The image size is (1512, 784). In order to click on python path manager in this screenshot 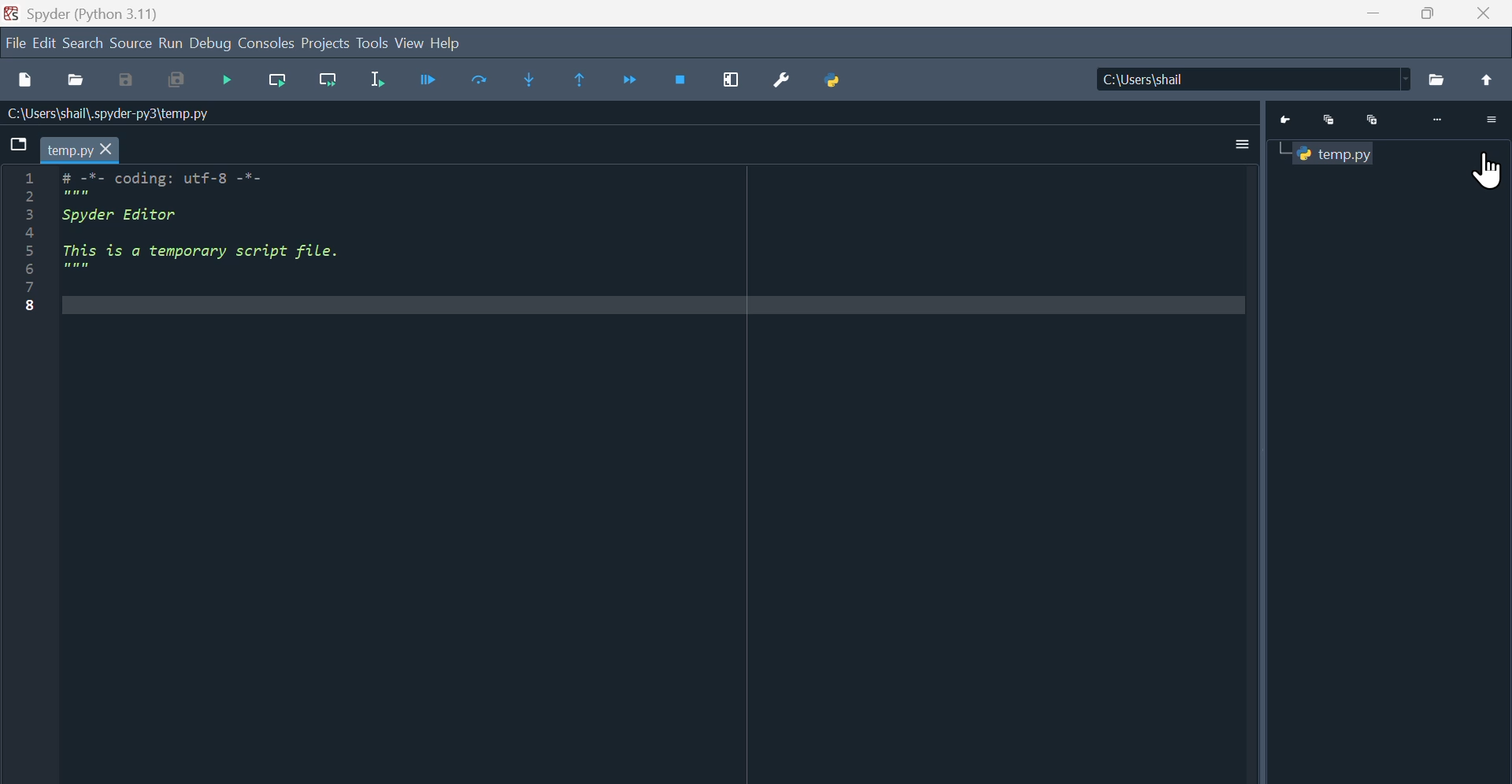, I will do `click(831, 83)`.